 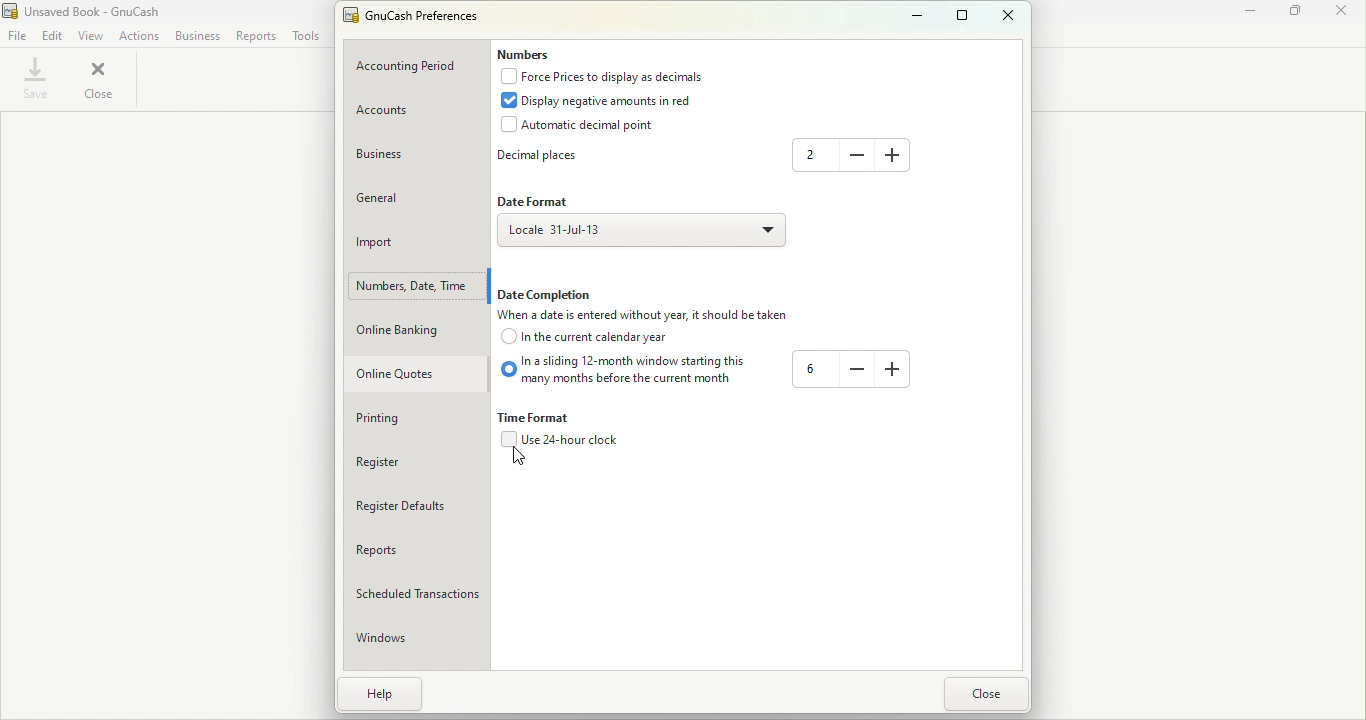 I want to click on Unsaved Book - GnuCash, so click(x=82, y=11).